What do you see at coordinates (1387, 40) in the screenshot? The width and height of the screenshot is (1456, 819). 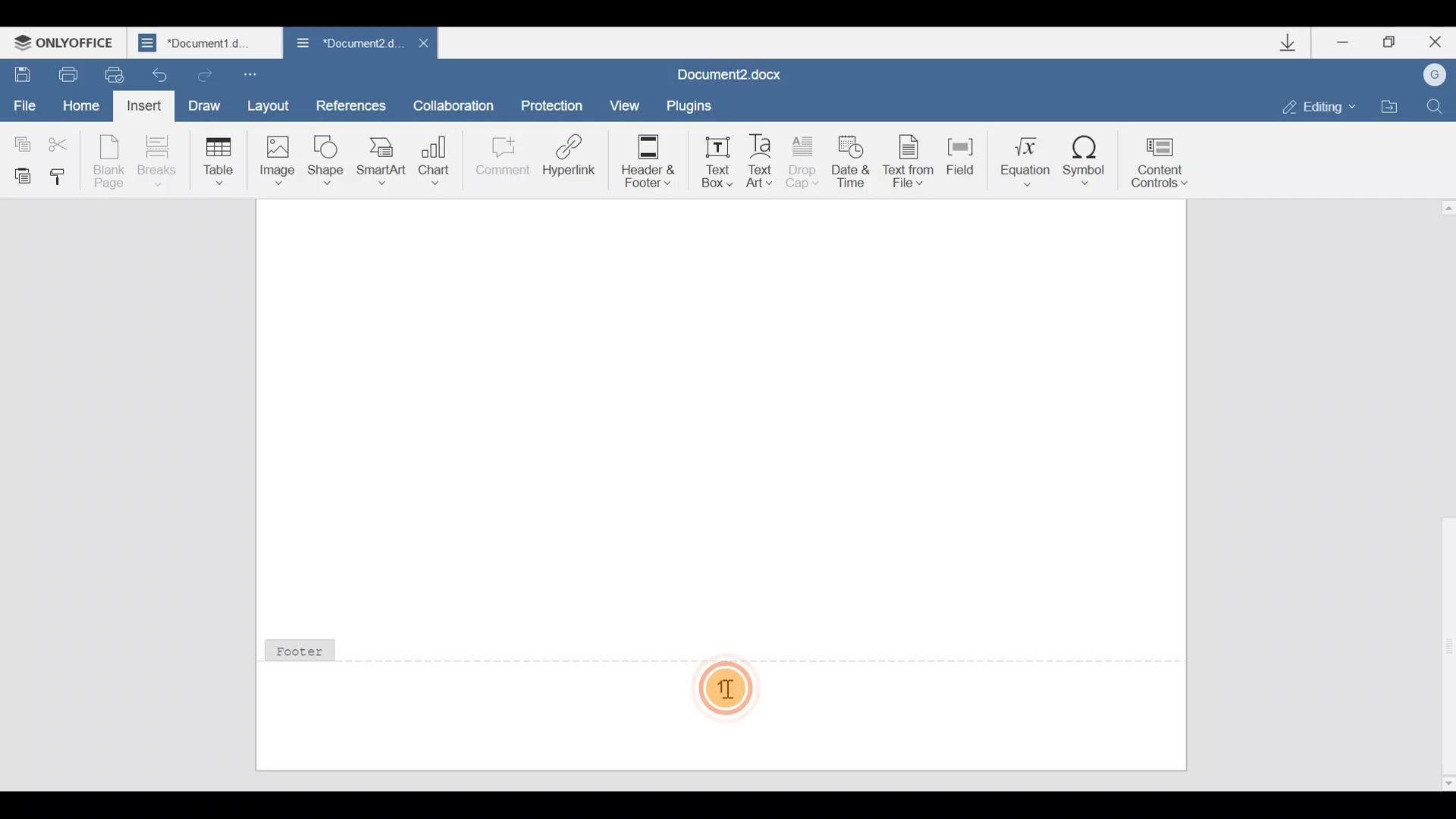 I see `Maximize` at bounding box center [1387, 40].